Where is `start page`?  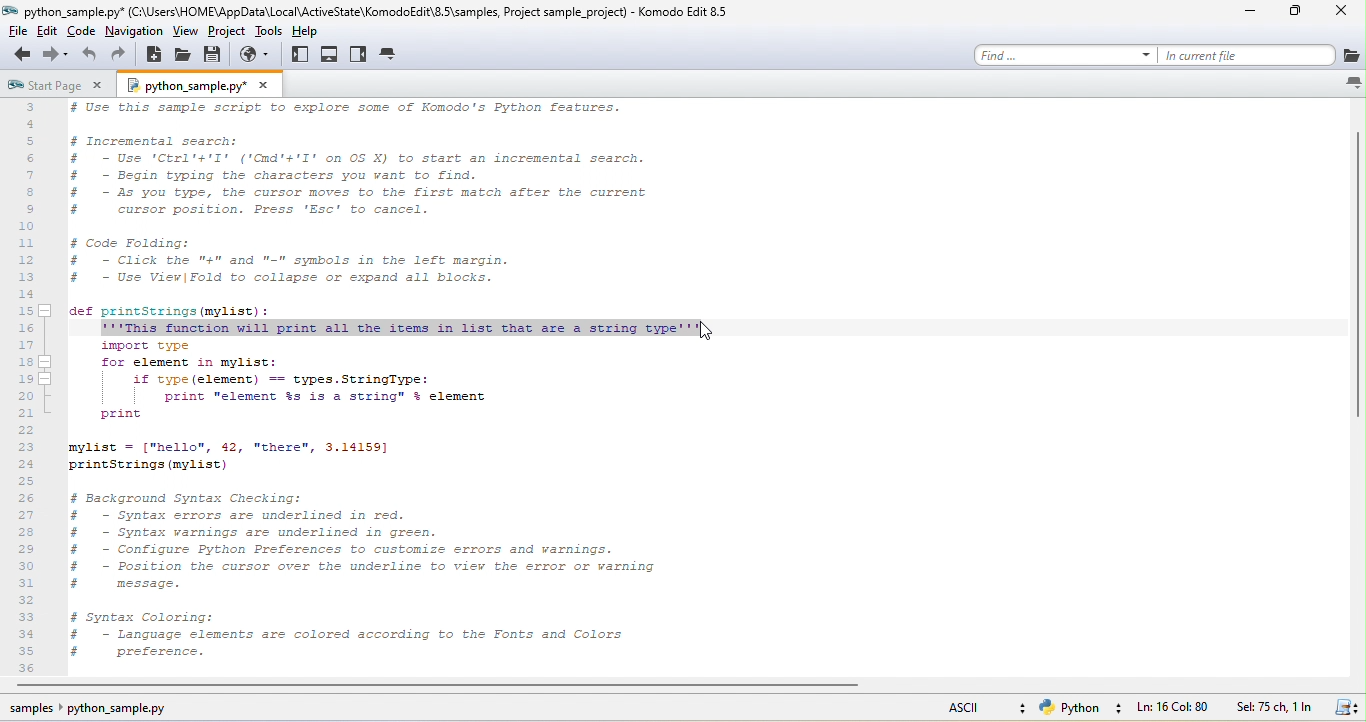
start page is located at coordinates (43, 87).